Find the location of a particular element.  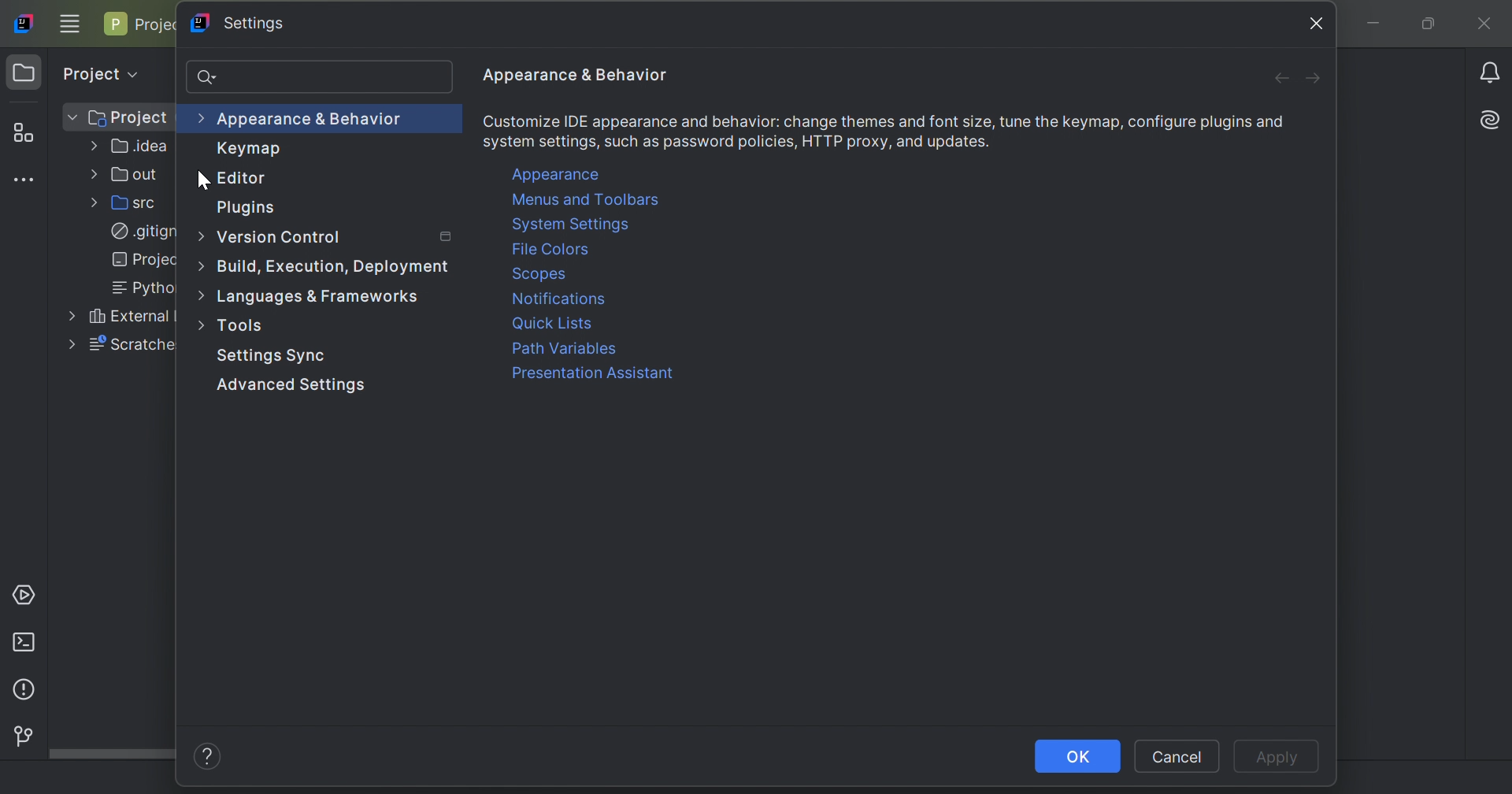

More tool windows is located at coordinates (28, 180).